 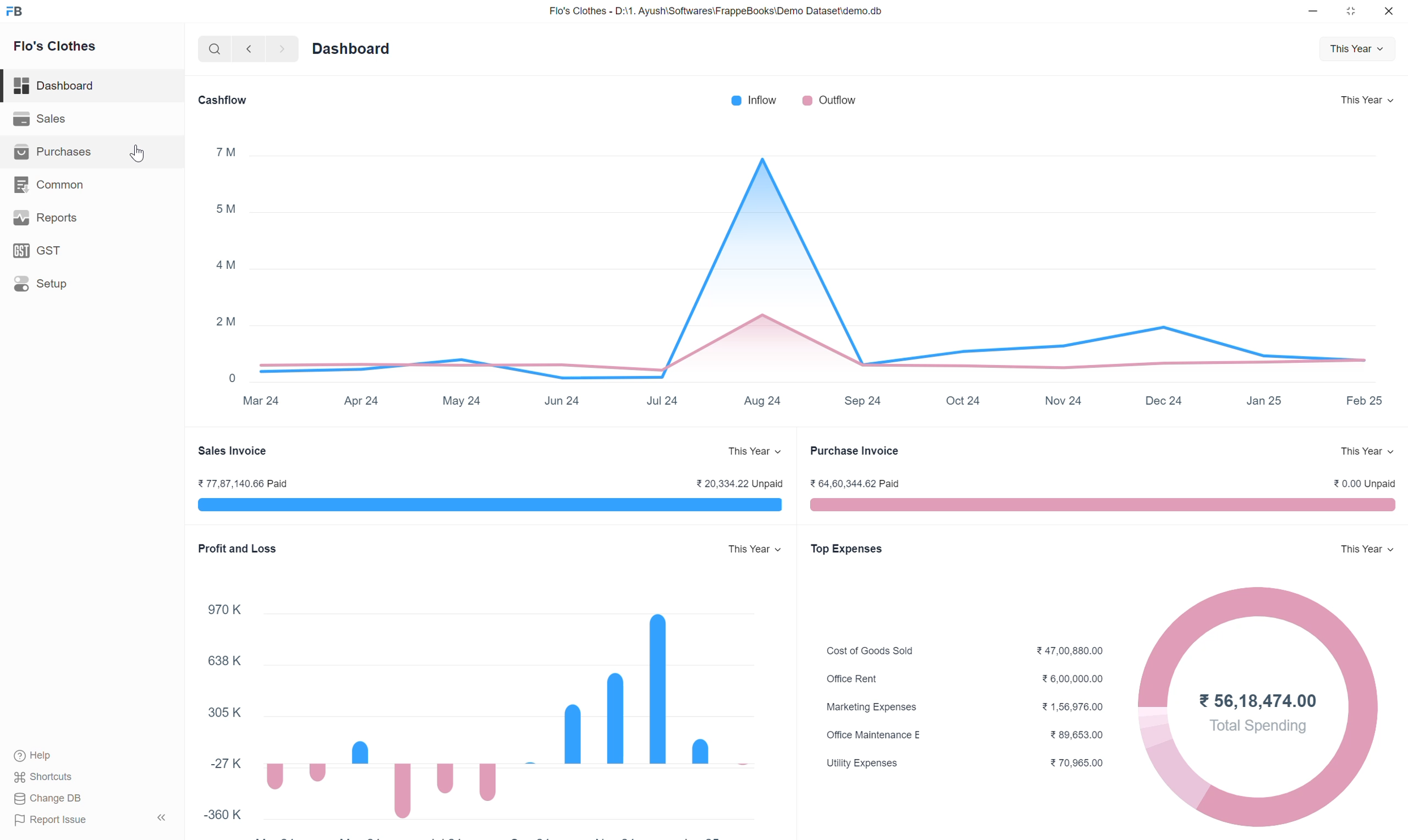 I want to click on Dashboard, so click(x=58, y=86).